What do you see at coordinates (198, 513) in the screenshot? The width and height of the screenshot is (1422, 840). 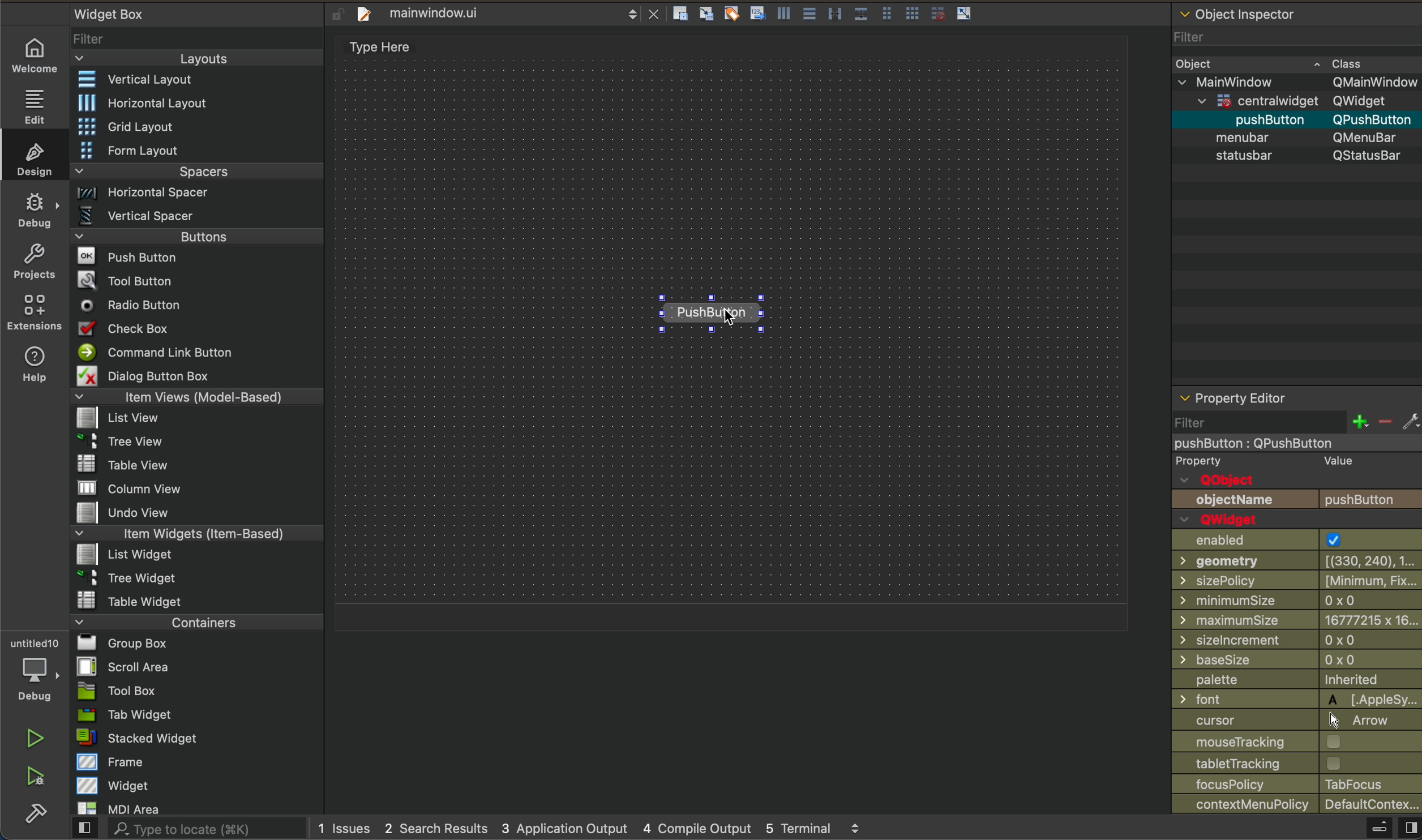 I see `undo view` at bounding box center [198, 513].